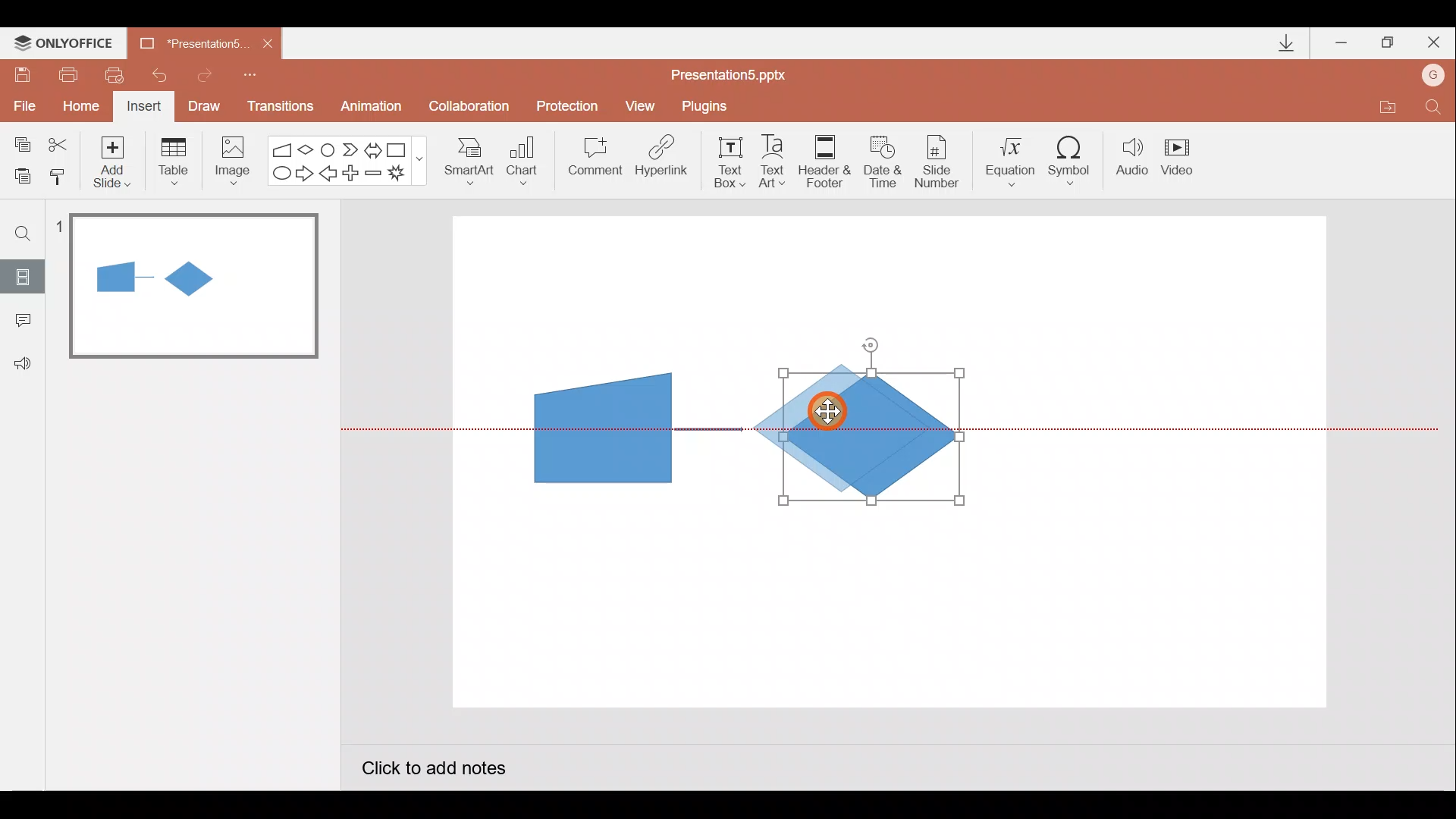  I want to click on Presentation5.pptx, so click(739, 71).